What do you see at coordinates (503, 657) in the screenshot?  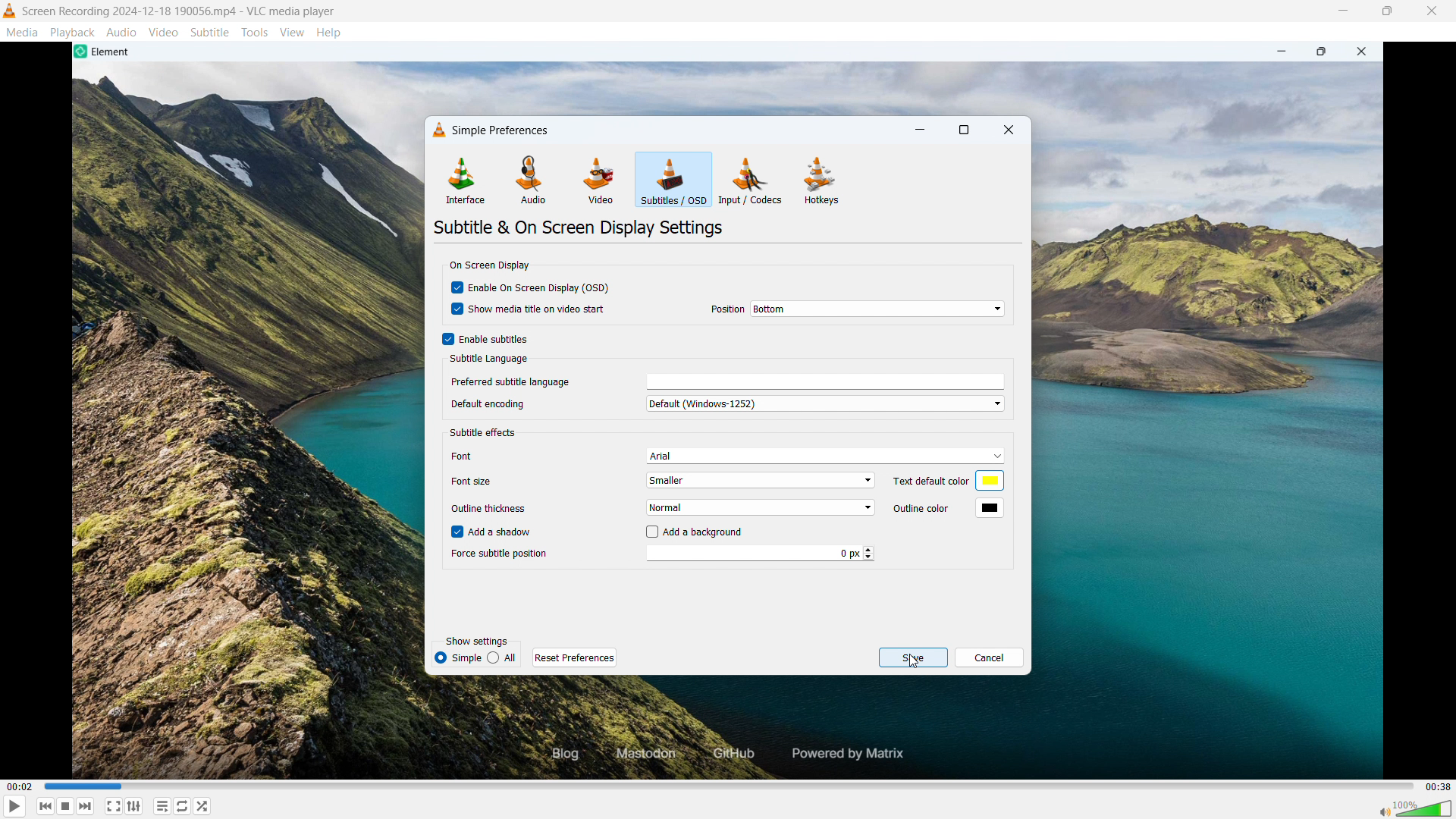 I see `all ` at bounding box center [503, 657].